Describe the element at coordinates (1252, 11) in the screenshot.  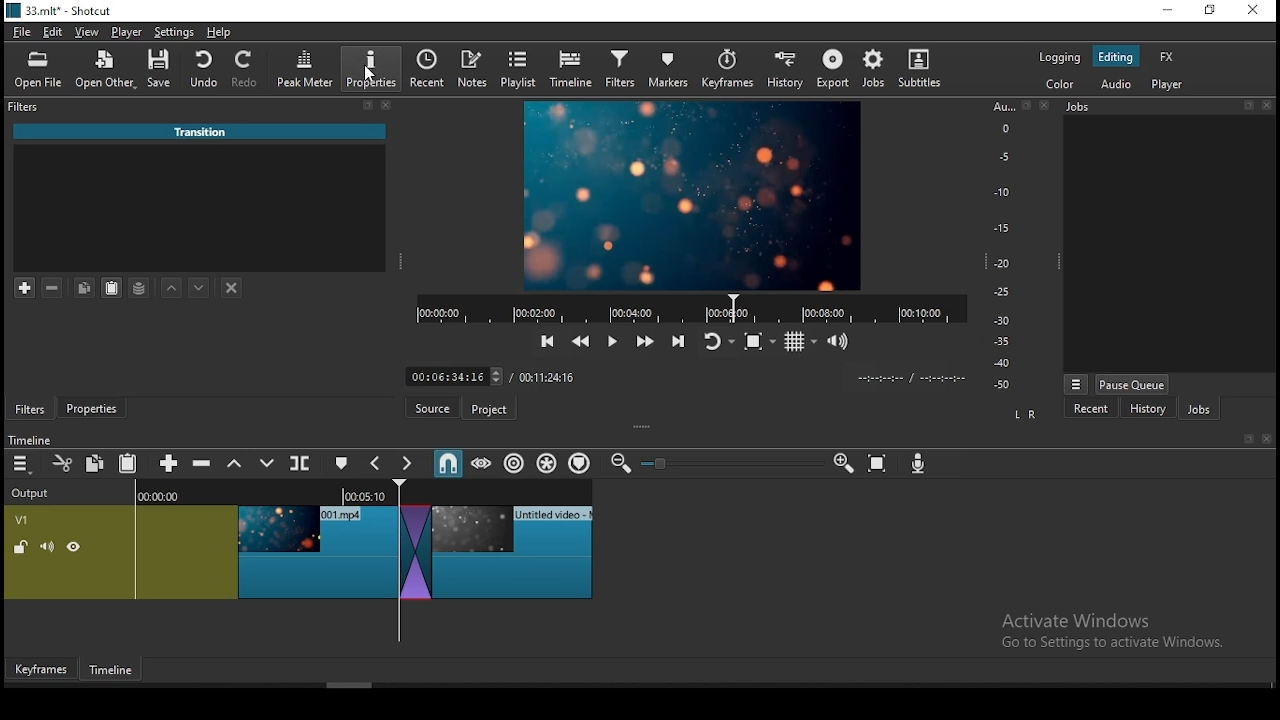
I see `close window` at that location.